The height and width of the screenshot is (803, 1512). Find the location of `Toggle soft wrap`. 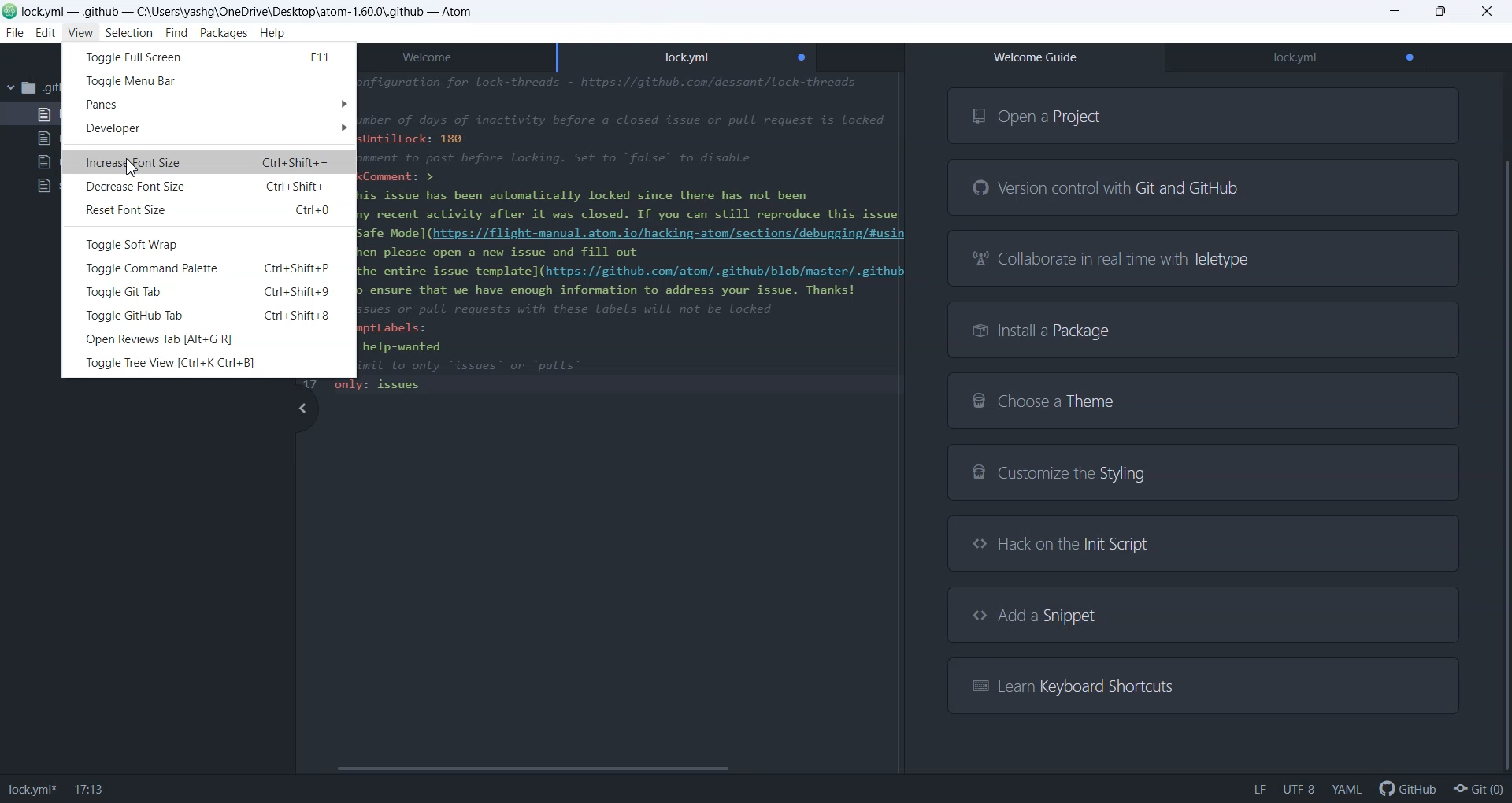

Toggle soft wrap is located at coordinates (209, 243).